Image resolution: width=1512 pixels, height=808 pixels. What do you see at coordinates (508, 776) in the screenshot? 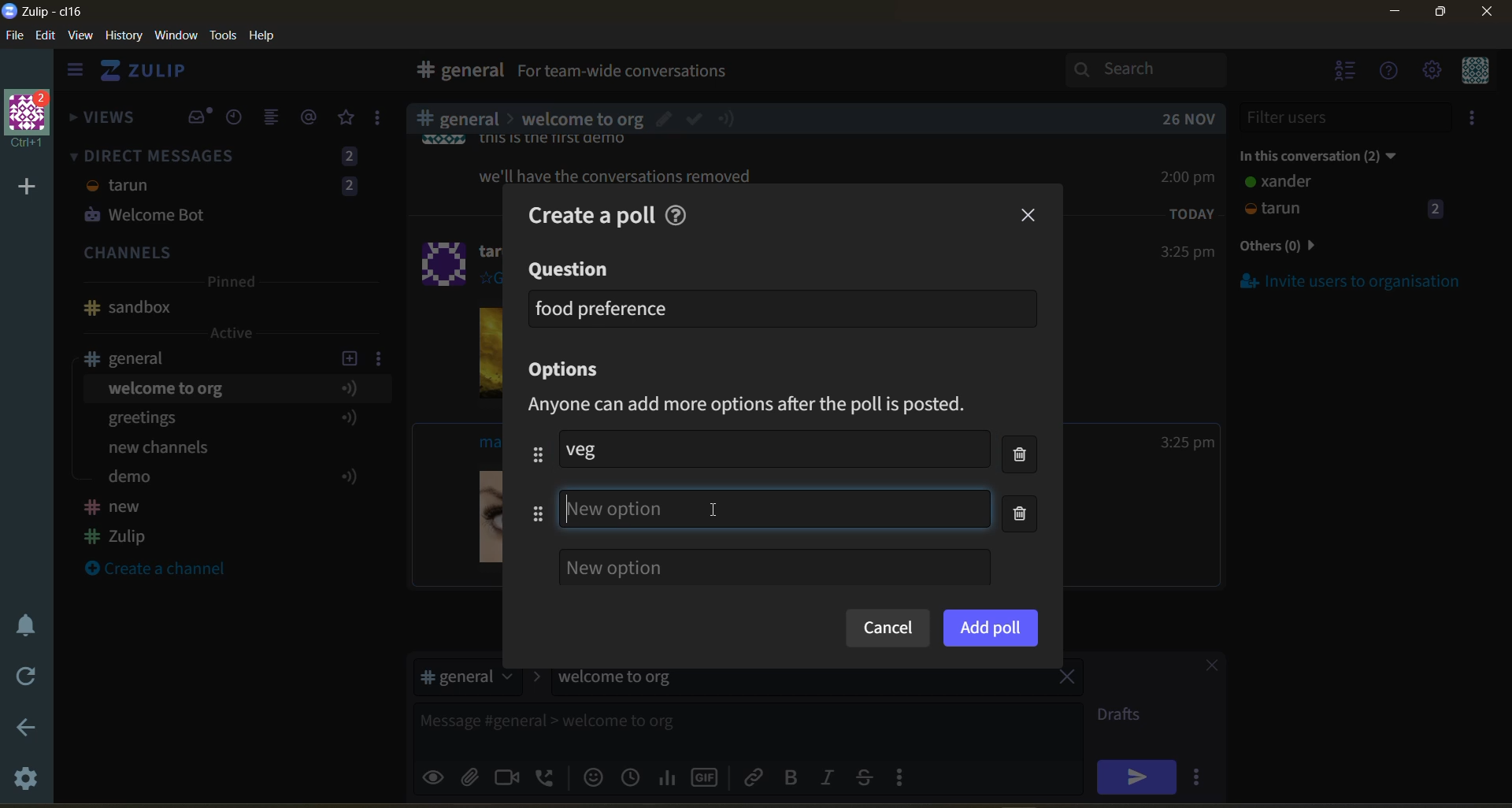
I see `add video call` at bounding box center [508, 776].